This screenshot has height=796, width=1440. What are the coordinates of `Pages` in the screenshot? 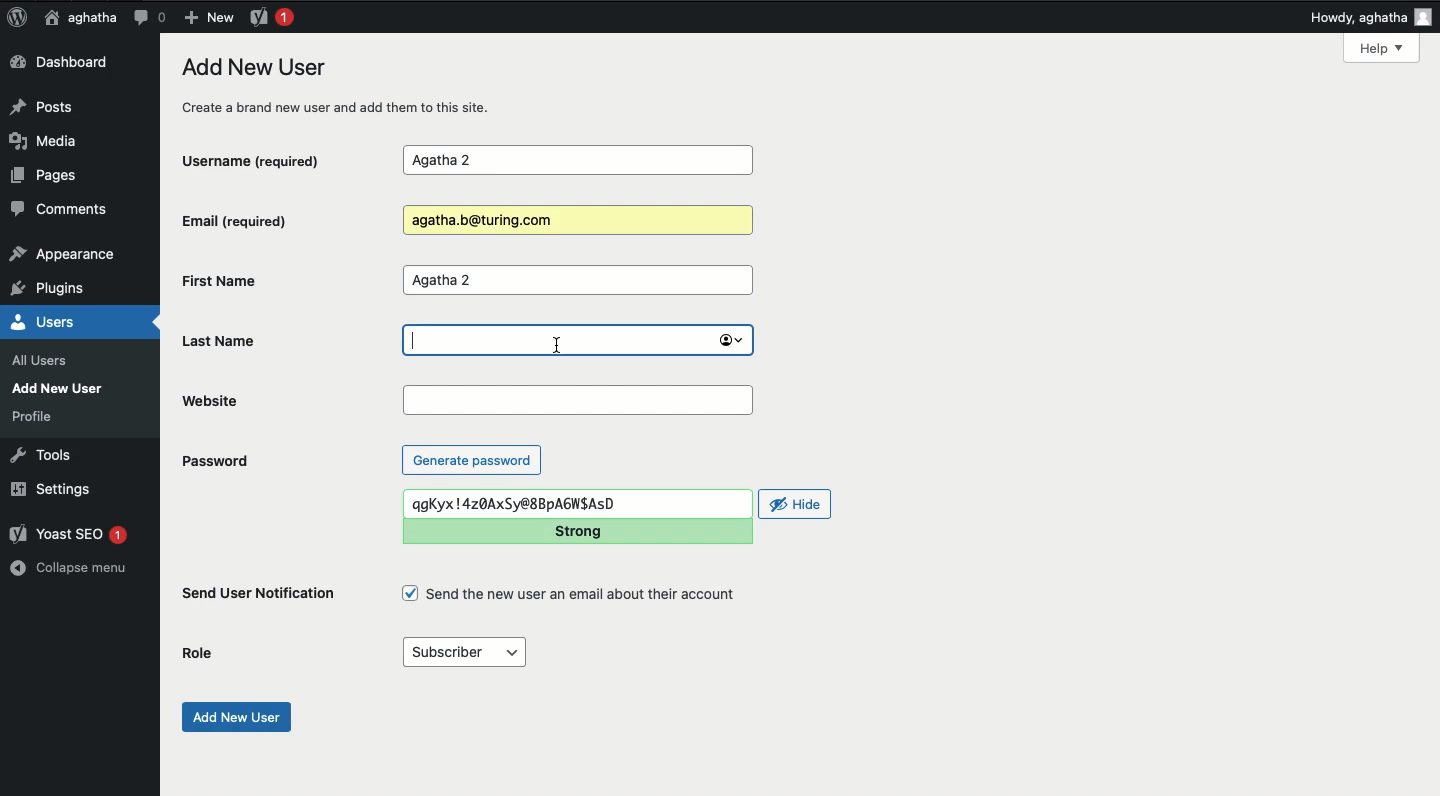 It's located at (50, 179).